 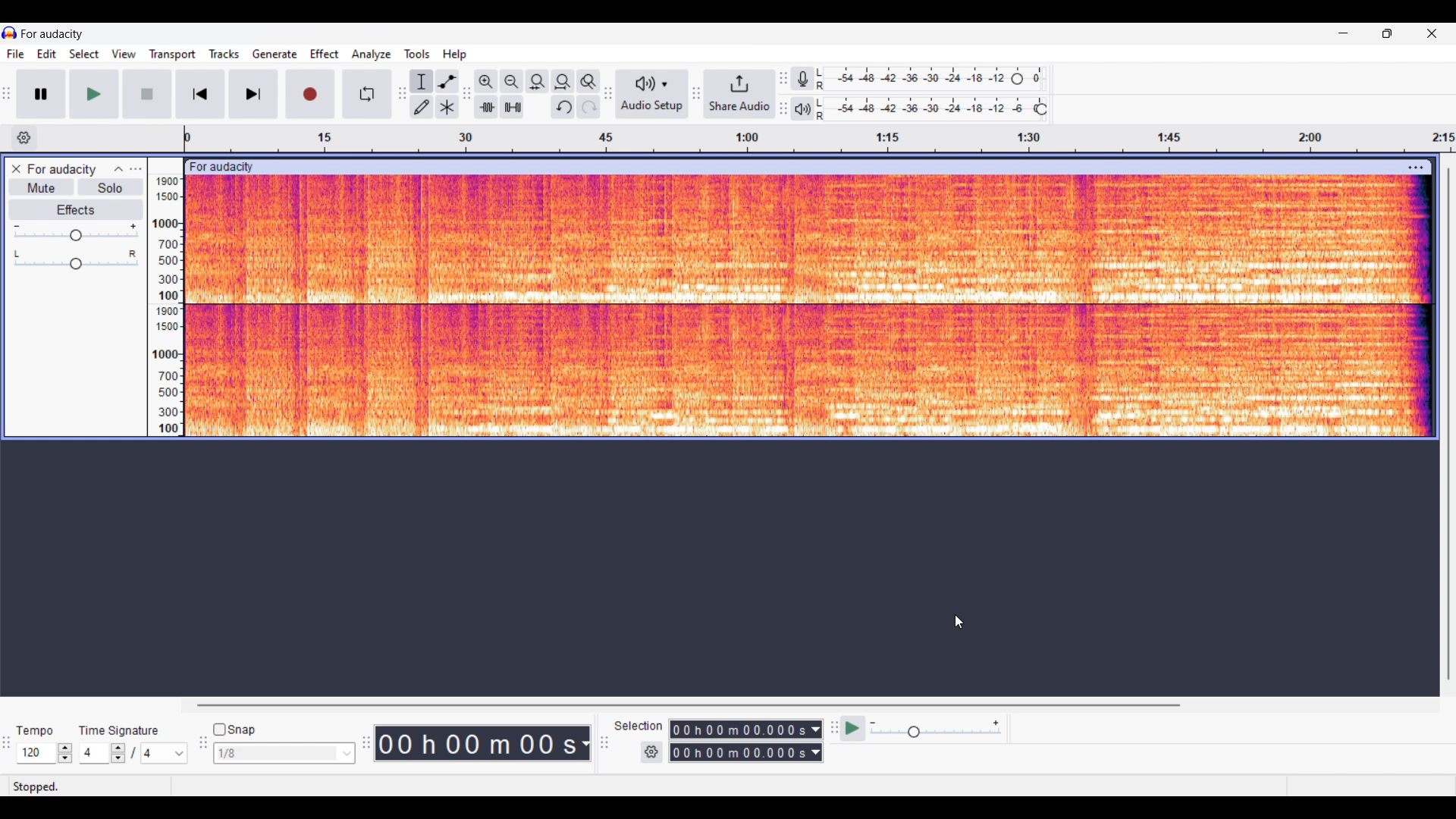 What do you see at coordinates (803, 108) in the screenshot?
I see `Playback meter` at bounding box center [803, 108].